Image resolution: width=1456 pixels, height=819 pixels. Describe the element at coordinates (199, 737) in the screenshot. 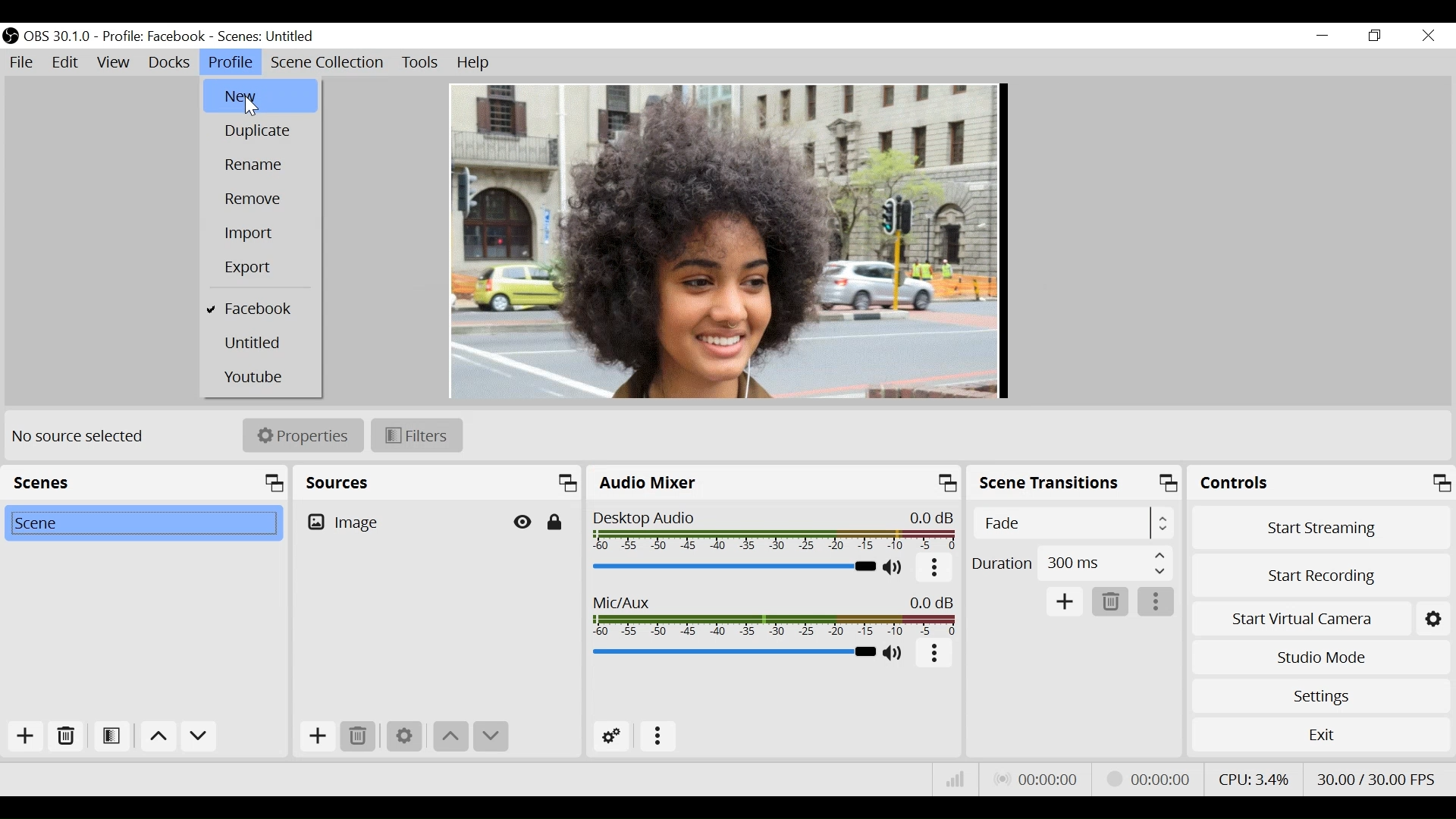

I see `move down` at that location.